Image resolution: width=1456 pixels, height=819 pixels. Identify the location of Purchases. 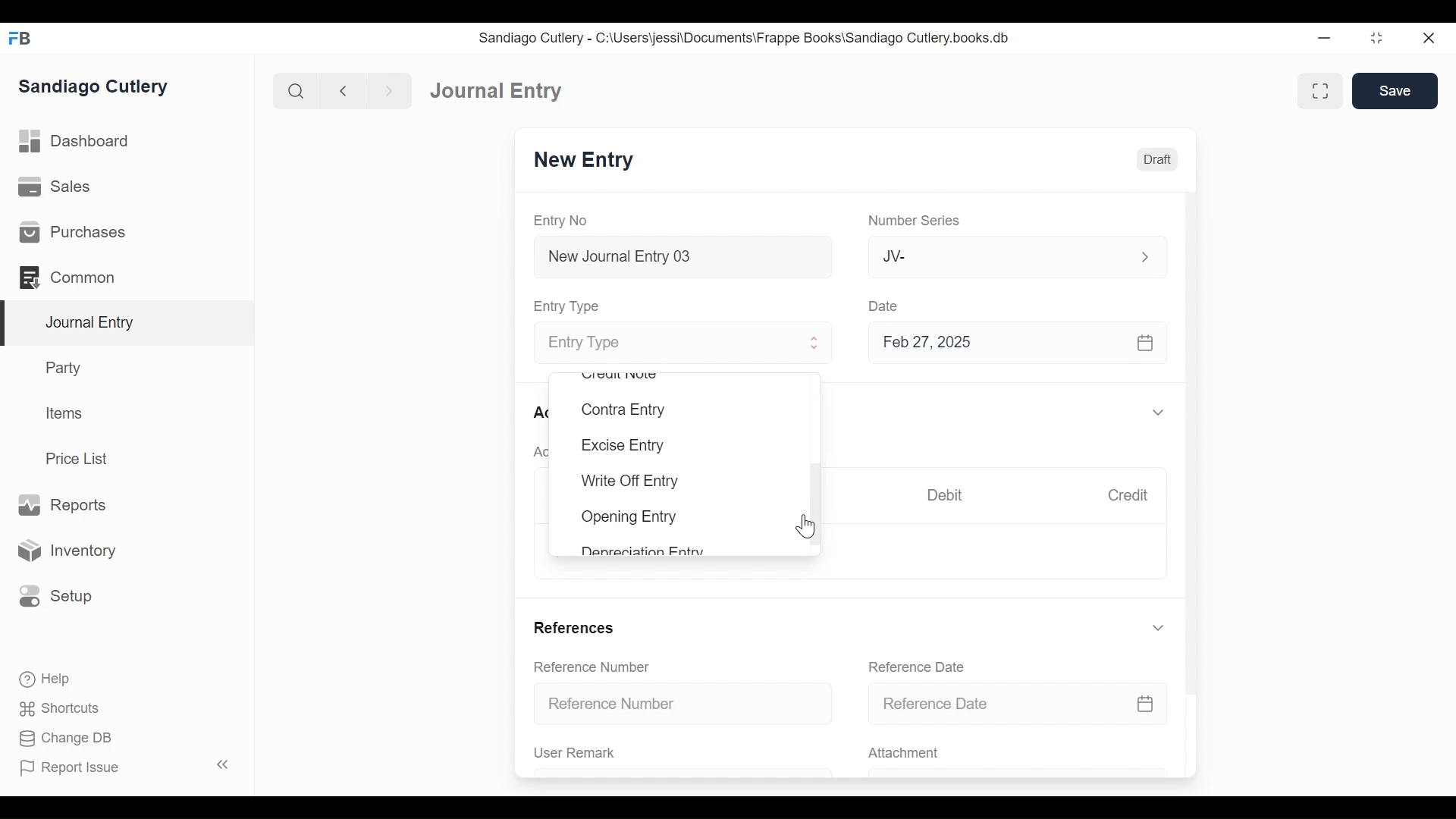
(75, 232).